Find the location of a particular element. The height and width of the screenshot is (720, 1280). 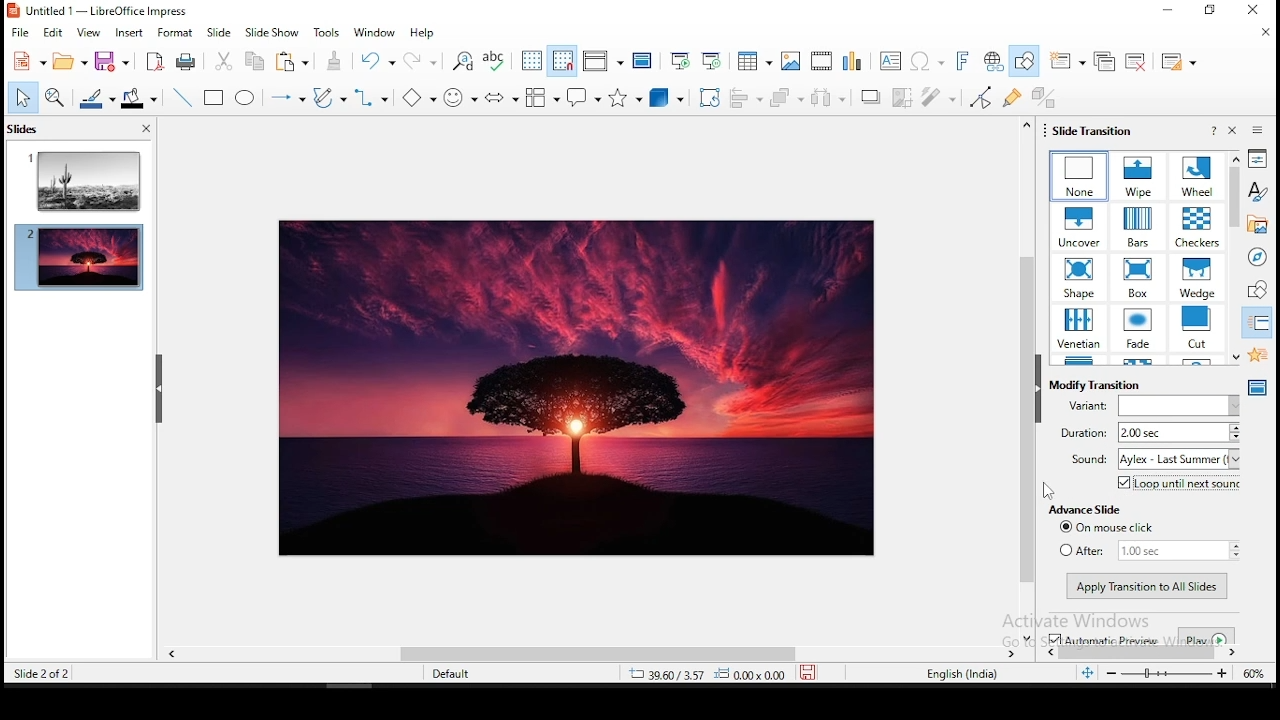

transition effects is located at coordinates (1137, 227).